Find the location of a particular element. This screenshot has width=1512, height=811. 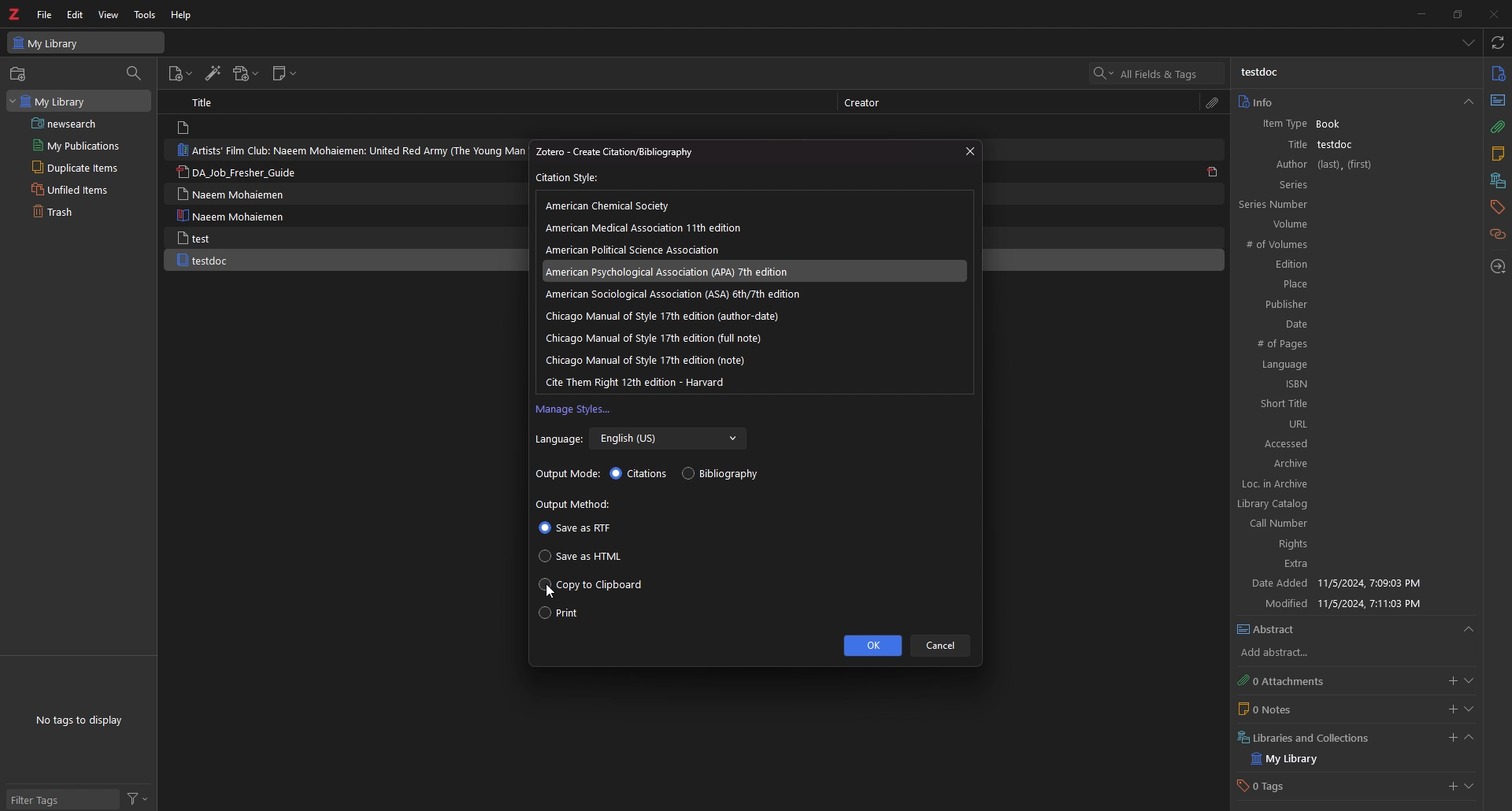

ok is located at coordinates (871, 646).